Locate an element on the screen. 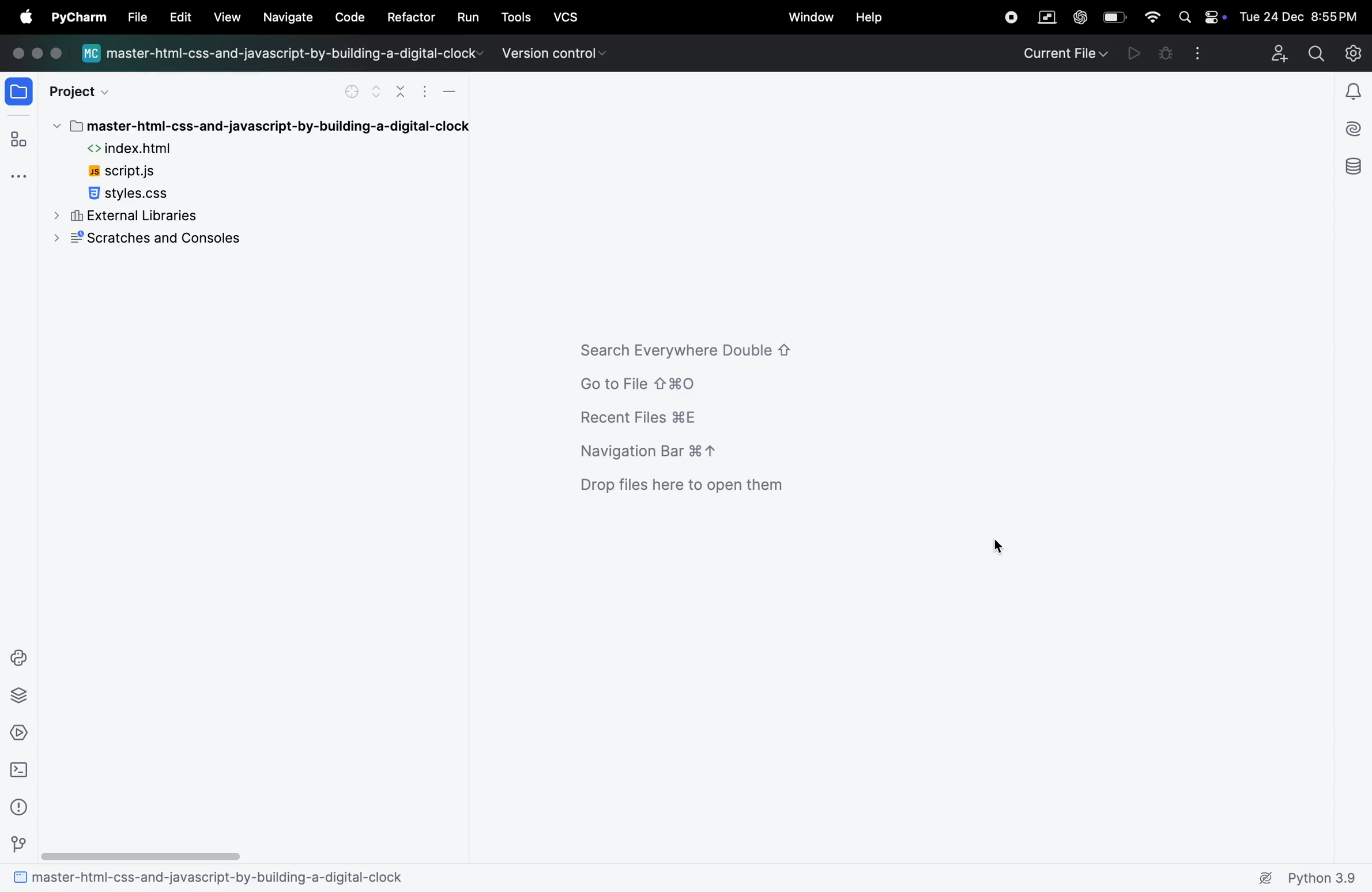 This screenshot has width=1372, height=892. bug is located at coordinates (1167, 53).